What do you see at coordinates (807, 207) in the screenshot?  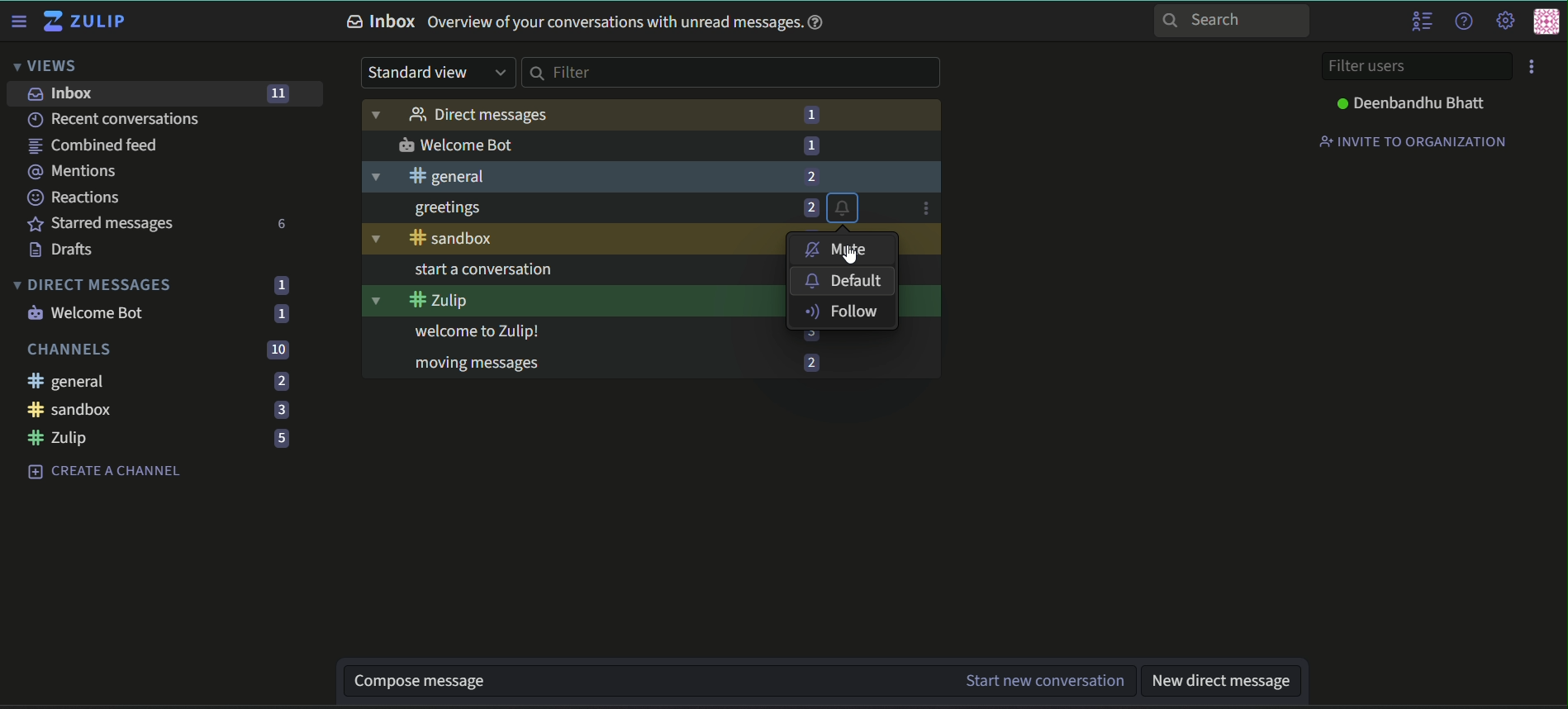 I see `number` at bounding box center [807, 207].